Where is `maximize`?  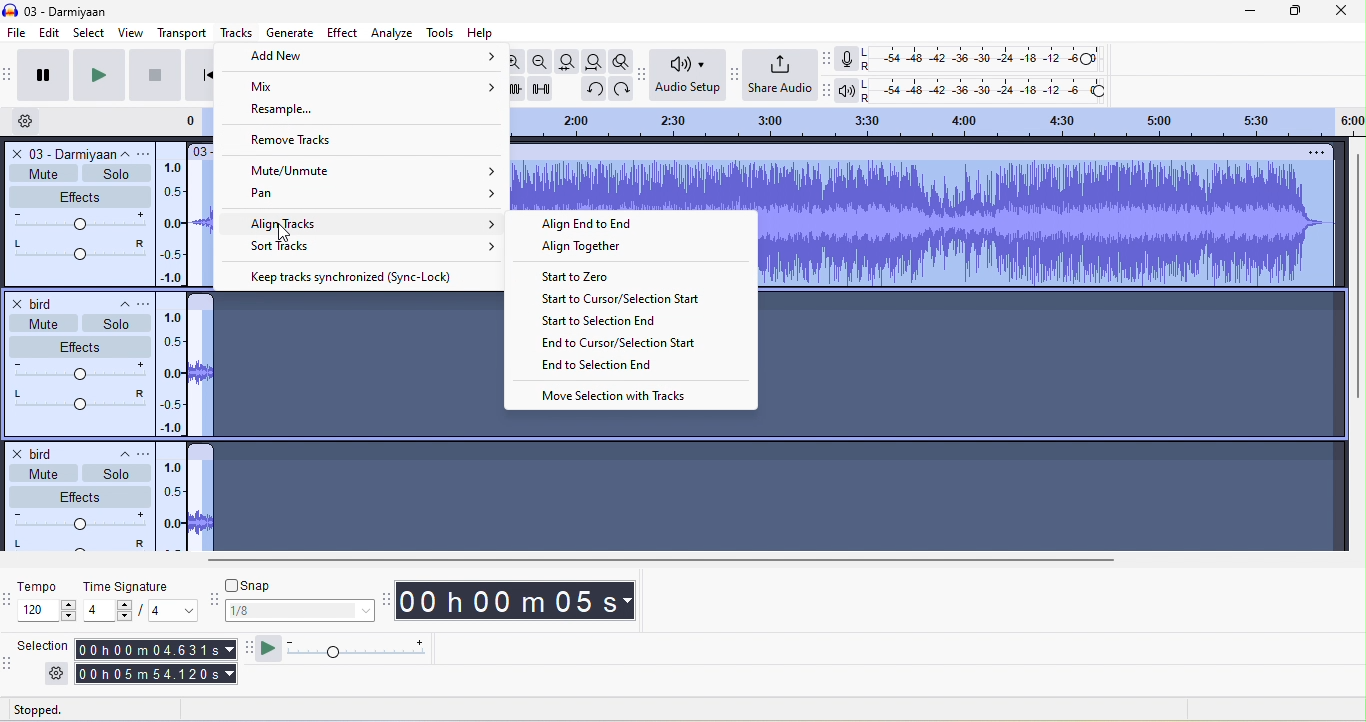
maximize is located at coordinates (1285, 11).